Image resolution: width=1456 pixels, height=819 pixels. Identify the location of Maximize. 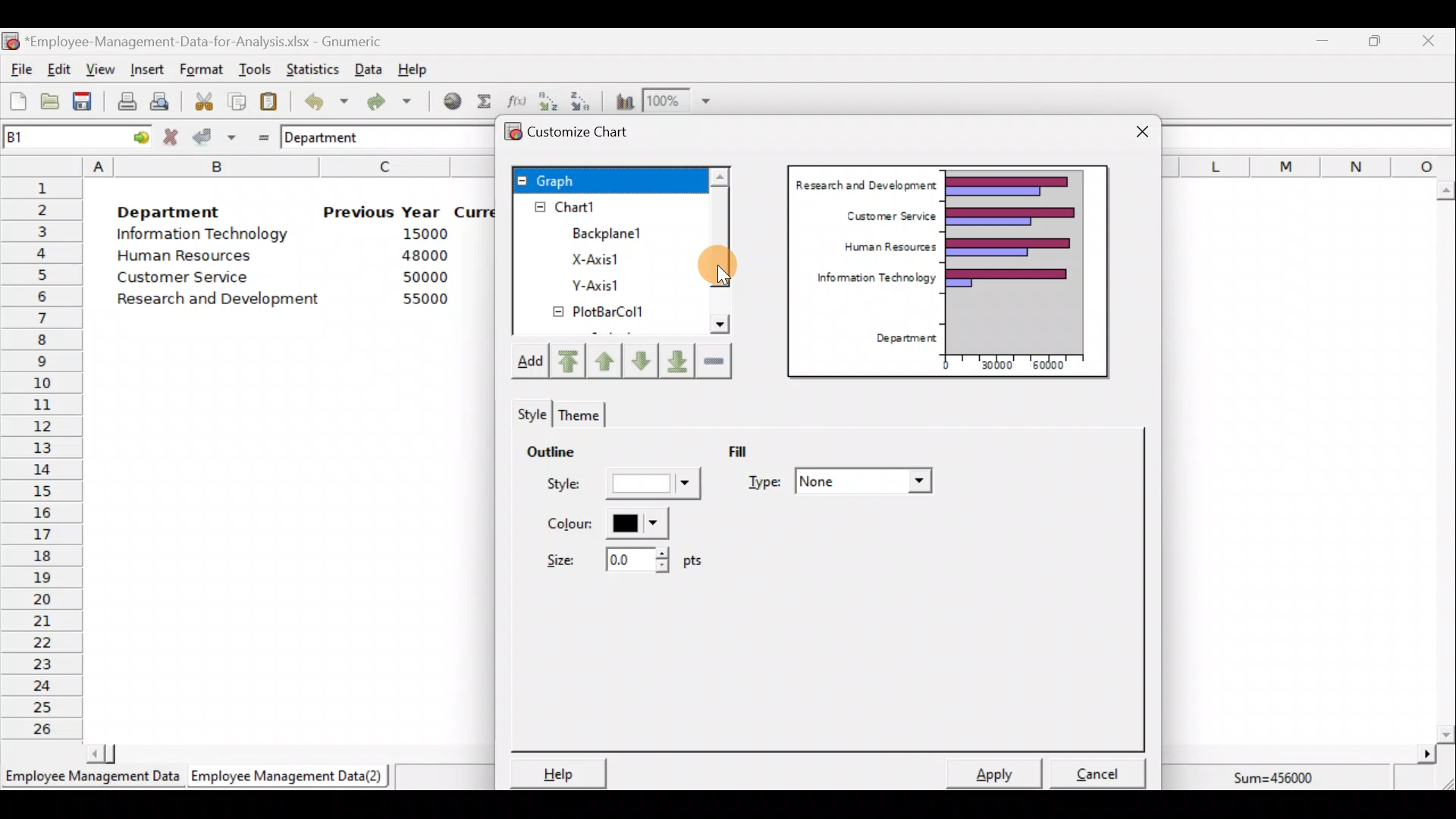
(1375, 40).